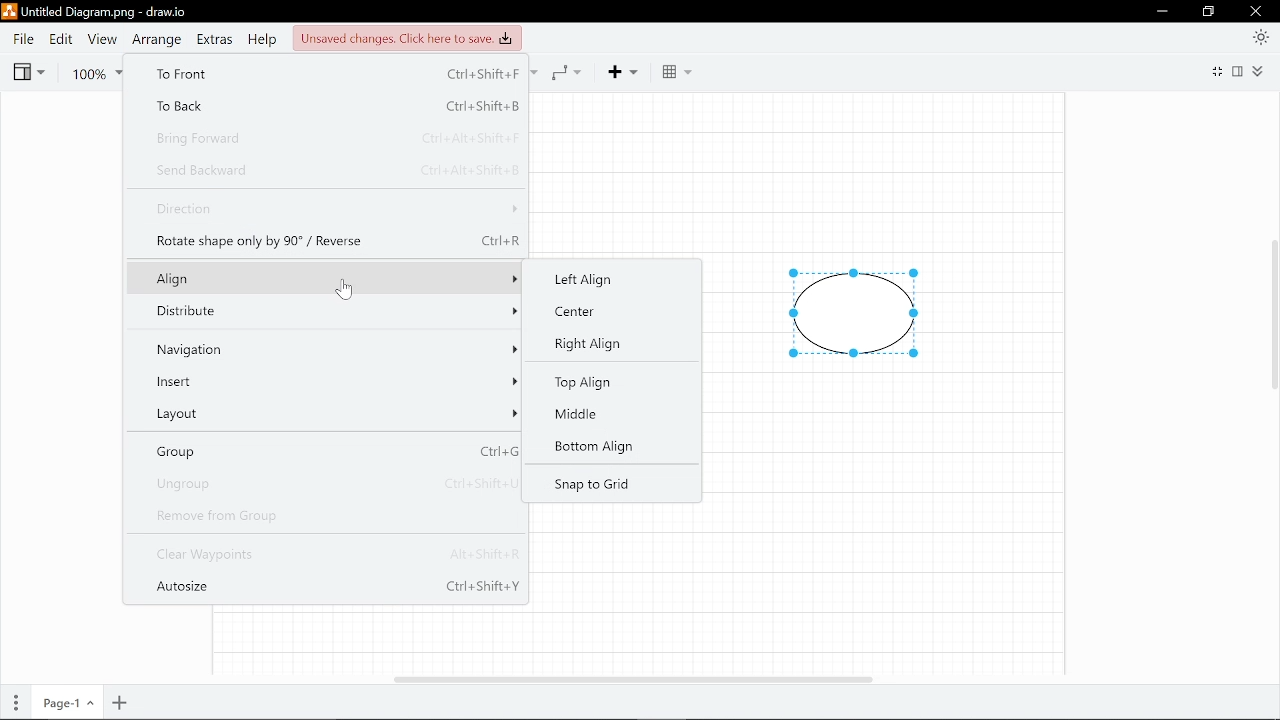 This screenshot has width=1280, height=720. I want to click on Left align, so click(608, 277).